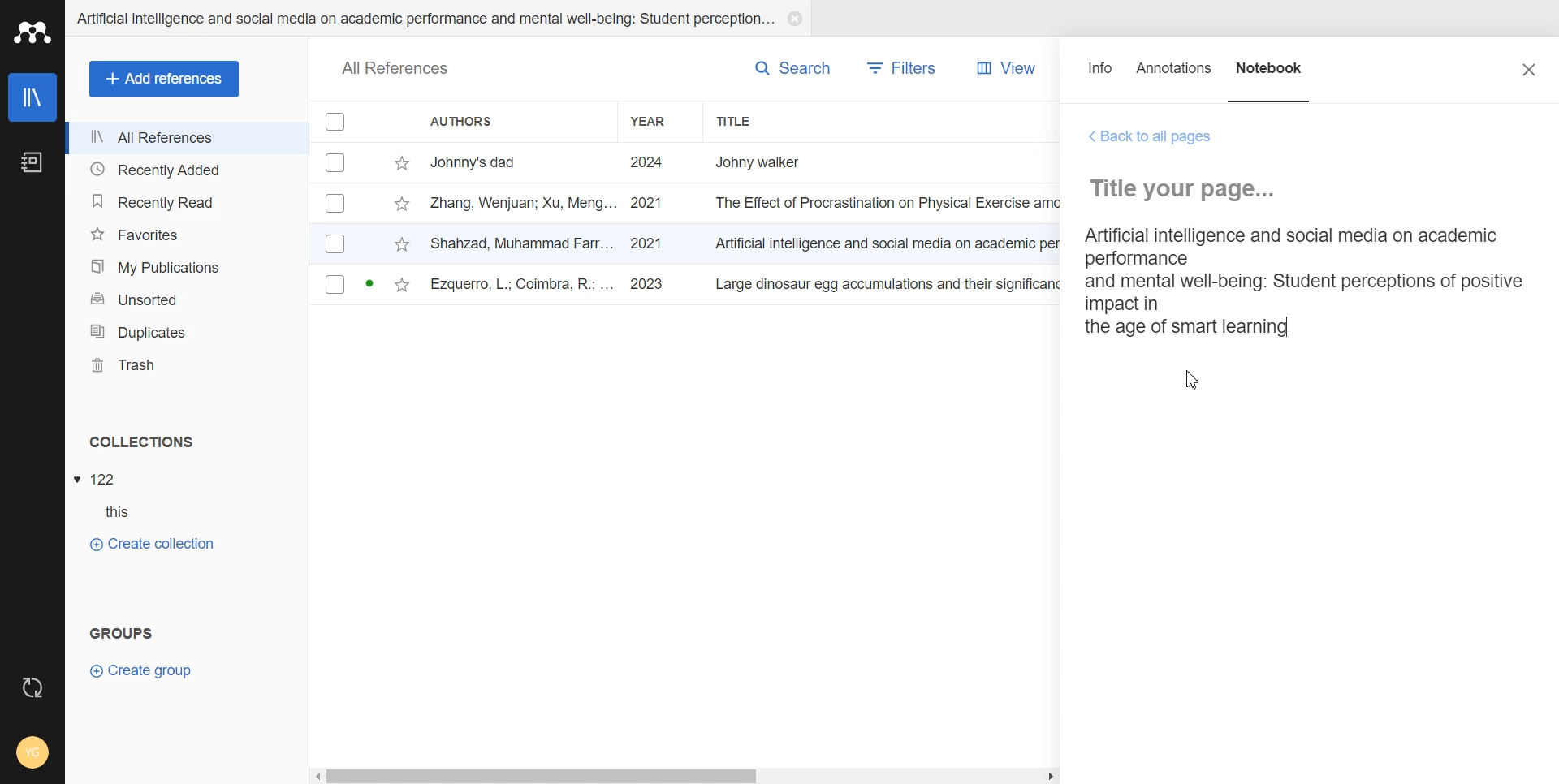 This screenshot has width=1559, height=784. What do you see at coordinates (889, 203) in the screenshot?
I see `the effect of procrastination on physical exercise amo` at bounding box center [889, 203].